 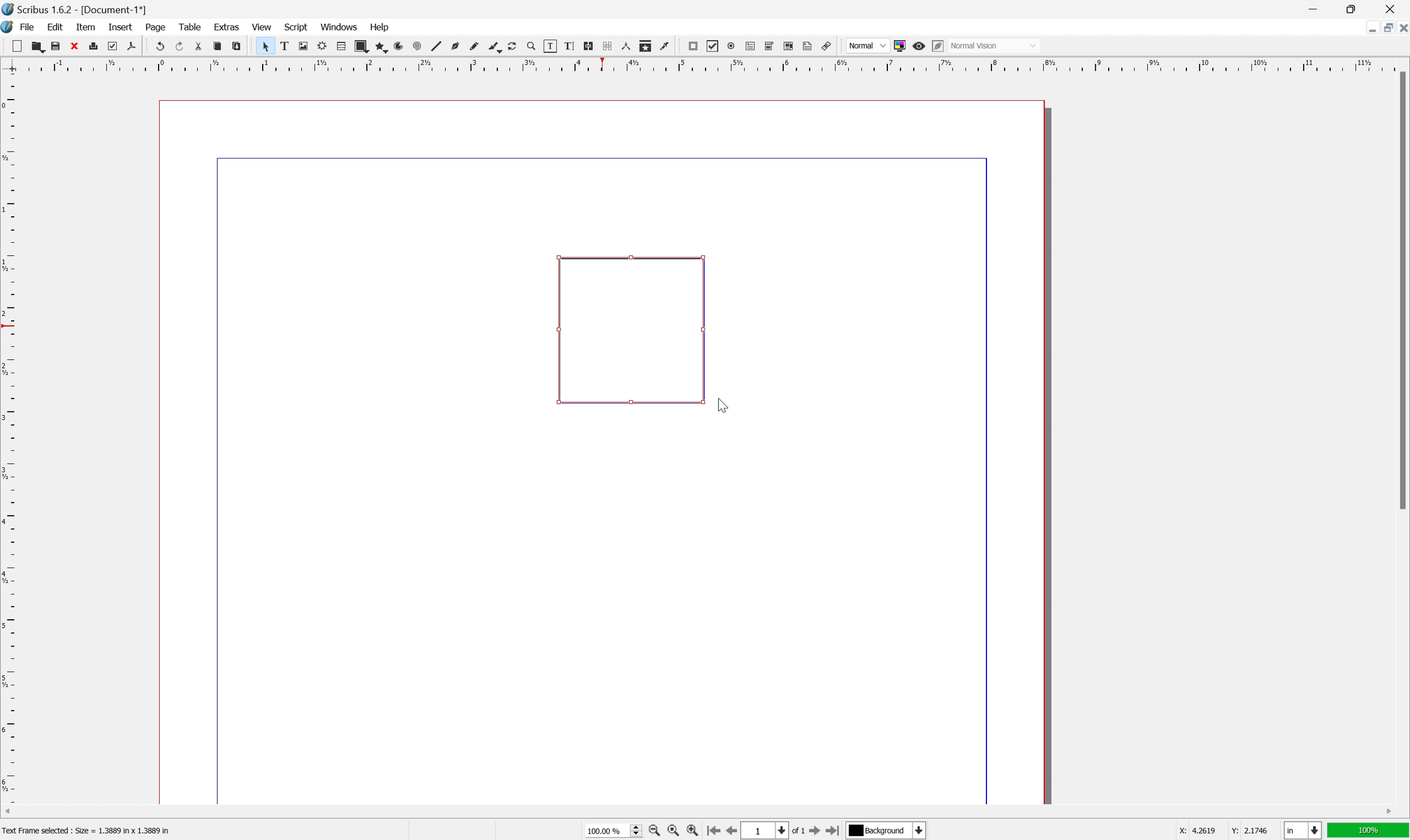 I want to click on toggle color management system, so click(x=900, y=46).